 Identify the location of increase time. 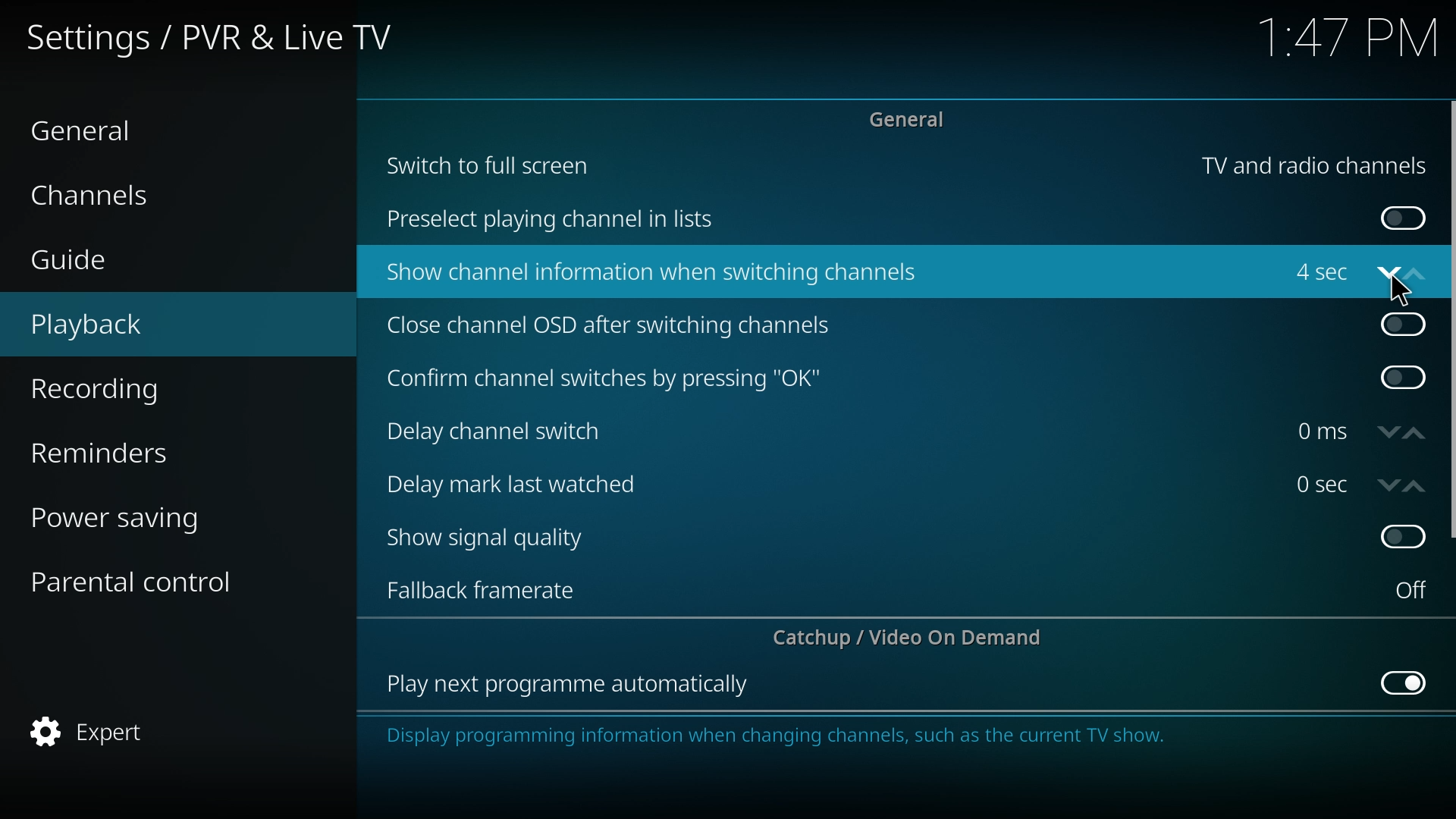
(1415, 487).